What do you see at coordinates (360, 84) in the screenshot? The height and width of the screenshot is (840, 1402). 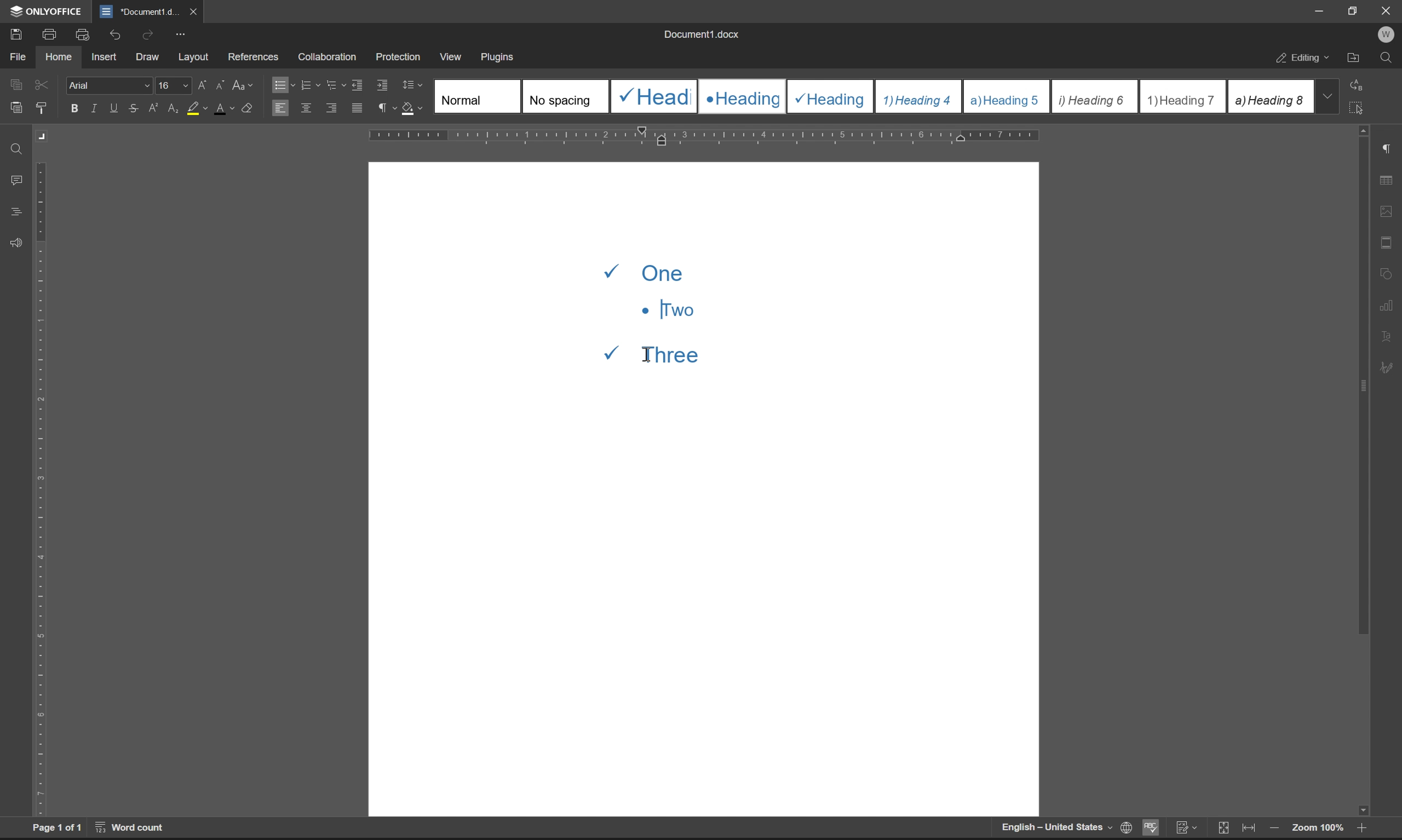 I see `decrease indent` at bounding box center [360, 84].